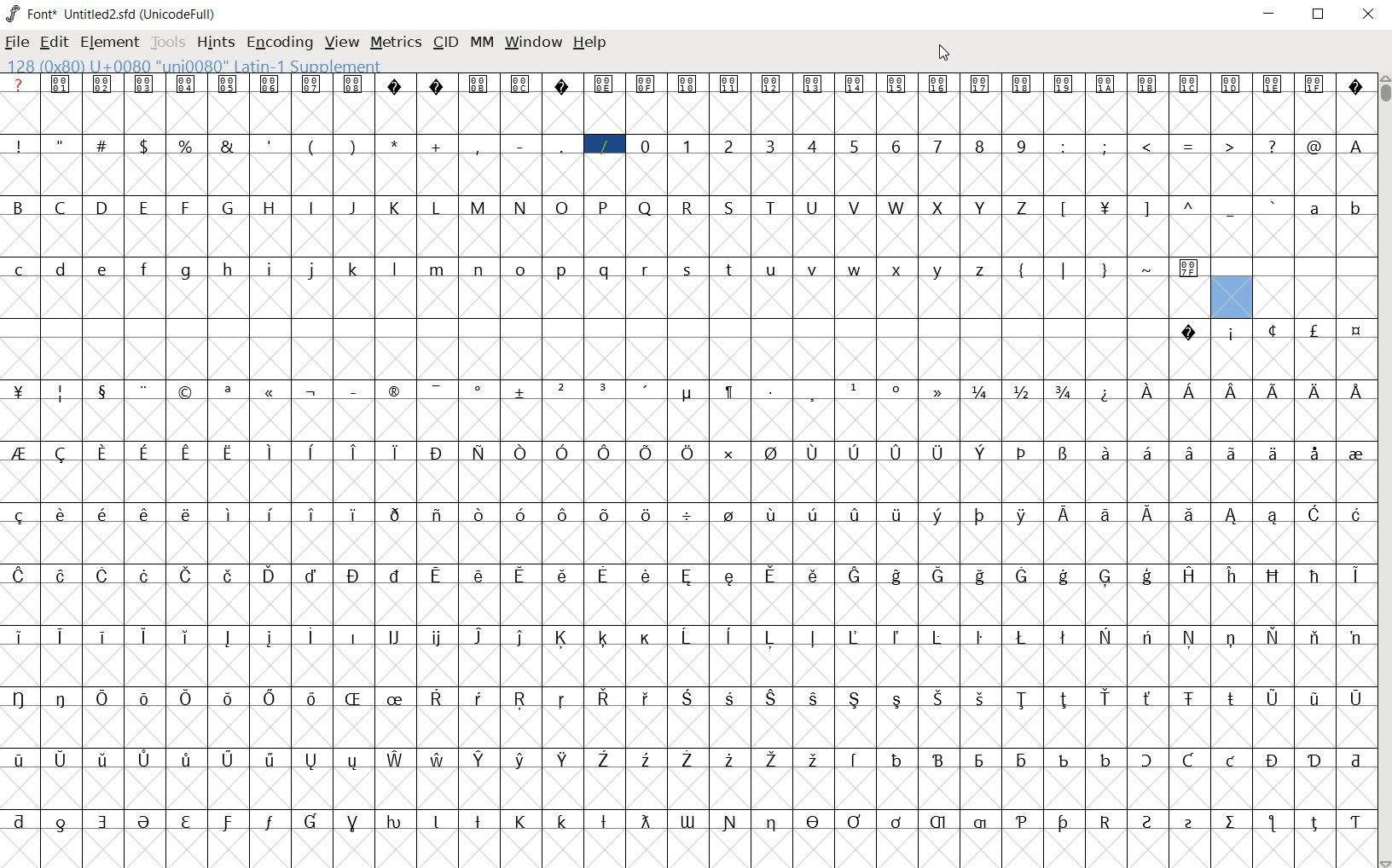 This screenshot has width=1392, height=868. What do you see at coordinates (20, 270) in the screenshot?
I see `glyph` at bounding box center [20, 270].